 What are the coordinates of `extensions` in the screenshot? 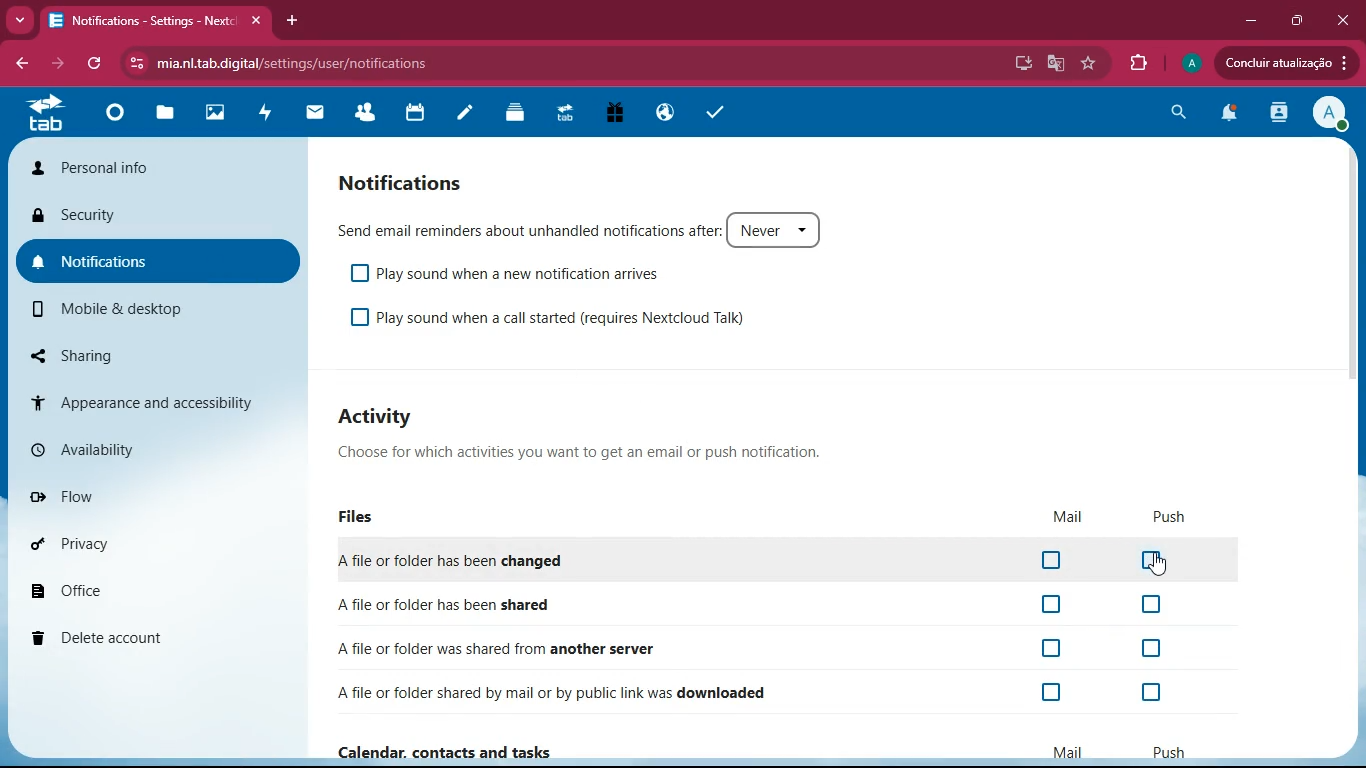 It's located at (1140, 60).